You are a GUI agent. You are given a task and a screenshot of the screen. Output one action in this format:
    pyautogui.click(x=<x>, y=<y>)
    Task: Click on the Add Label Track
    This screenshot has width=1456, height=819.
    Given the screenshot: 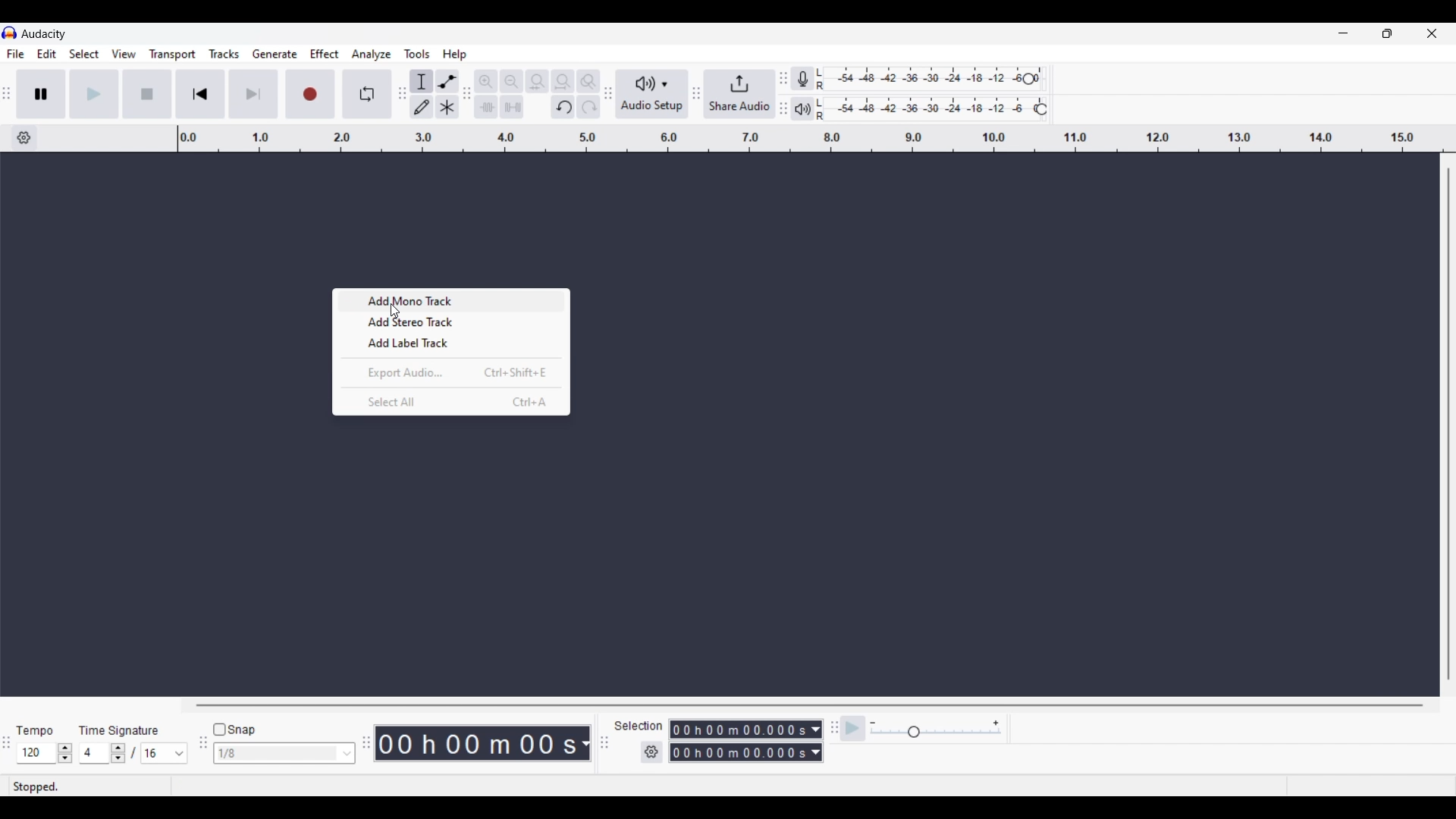 What is the action you would take?
    pyautogui.click(x=450, y=344)
    